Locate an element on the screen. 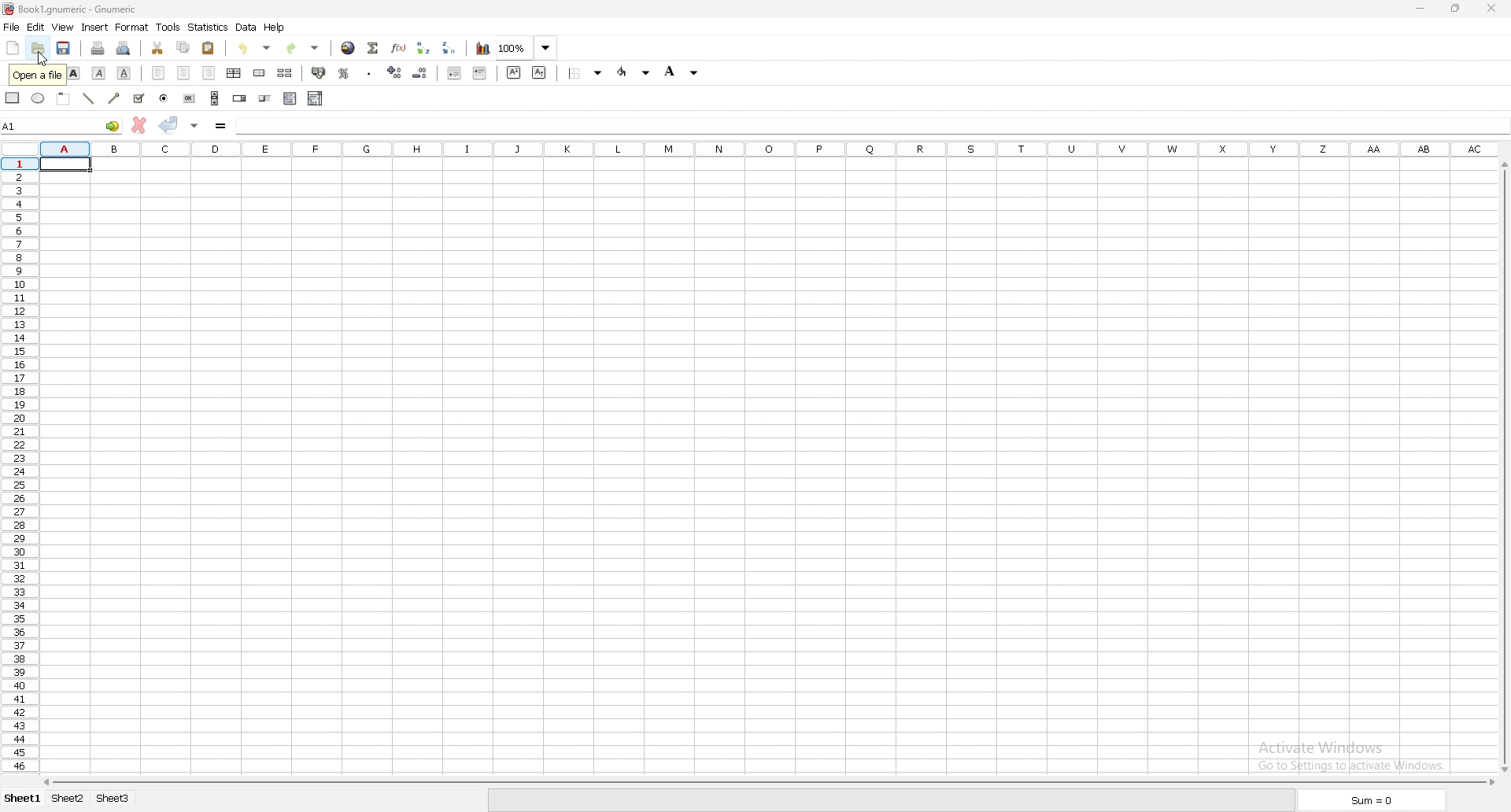  summation is located at coordinates (374, 46).